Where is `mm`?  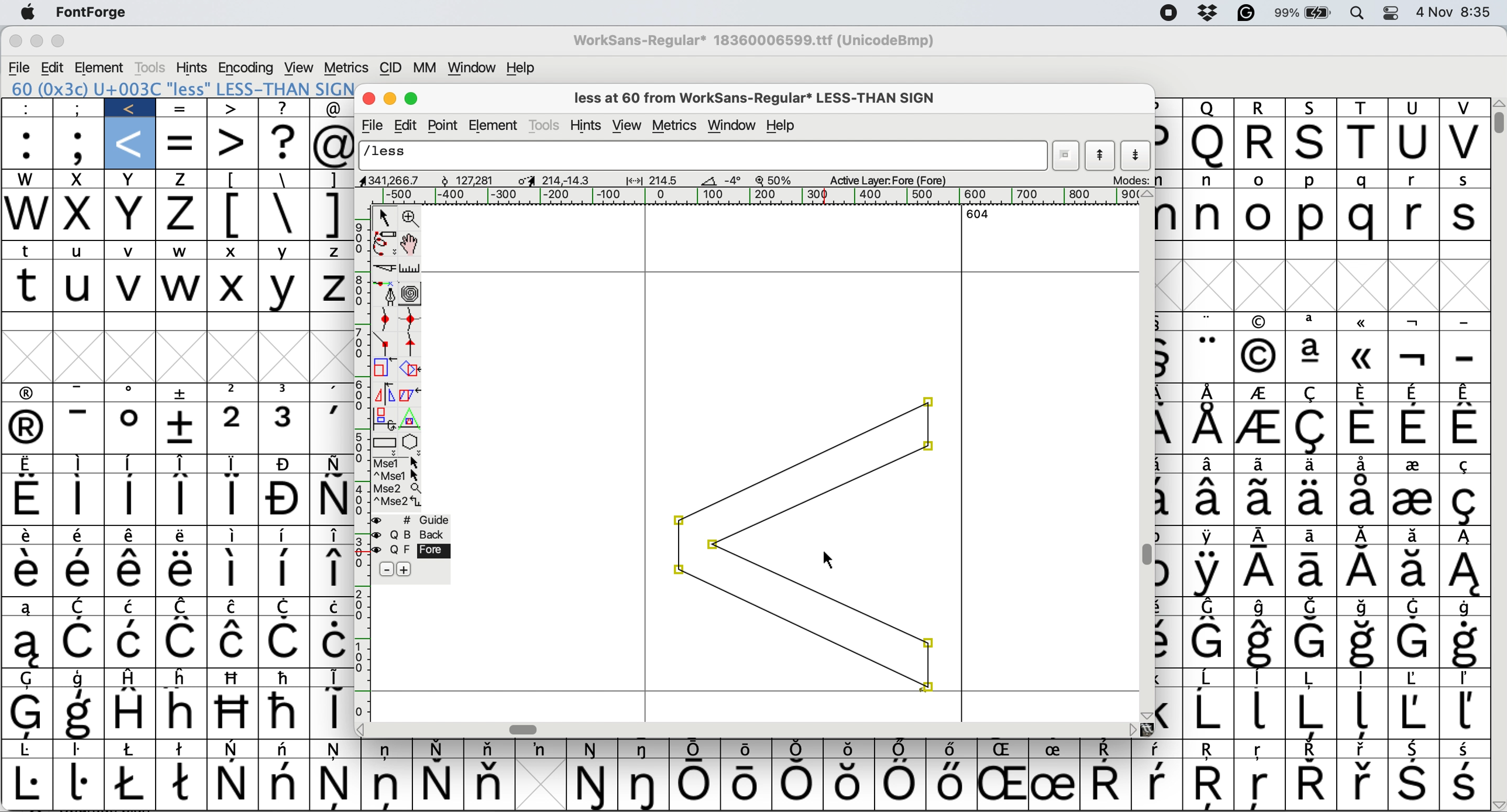
mm is located at coordinates (426, 67).